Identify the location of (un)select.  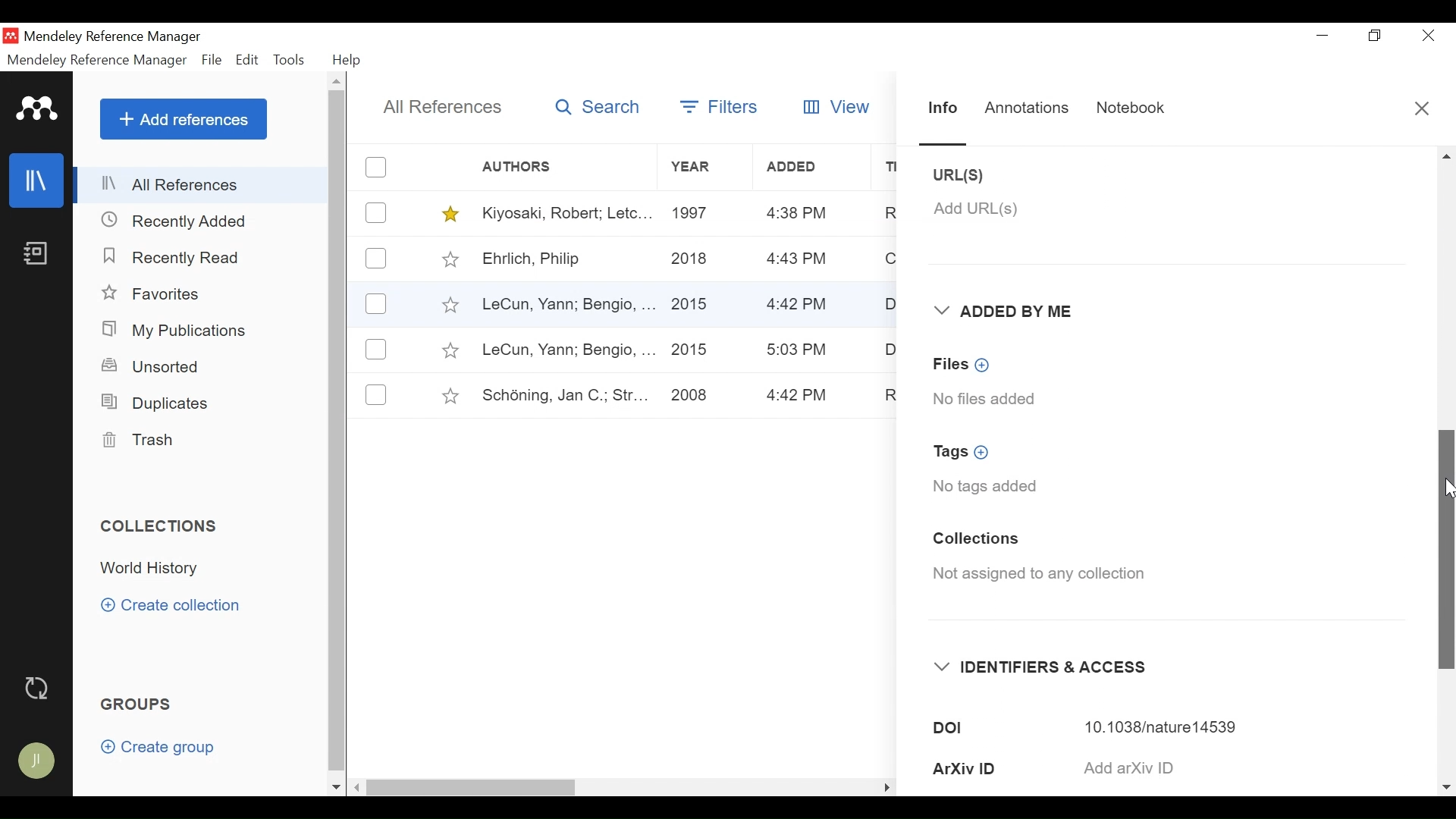
(376, 167).